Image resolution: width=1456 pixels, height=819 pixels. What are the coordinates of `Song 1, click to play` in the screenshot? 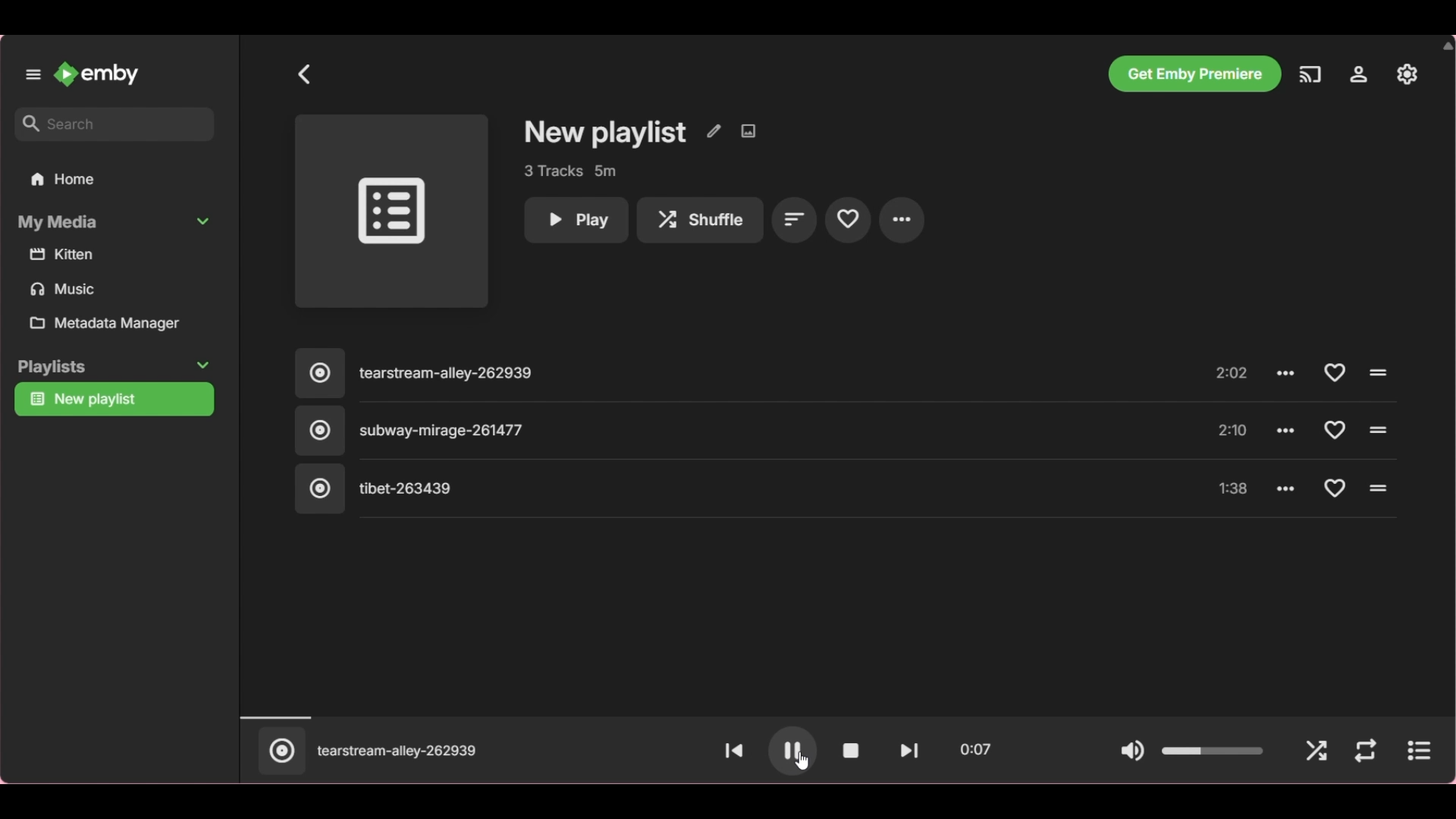 It's located at (721, 375).